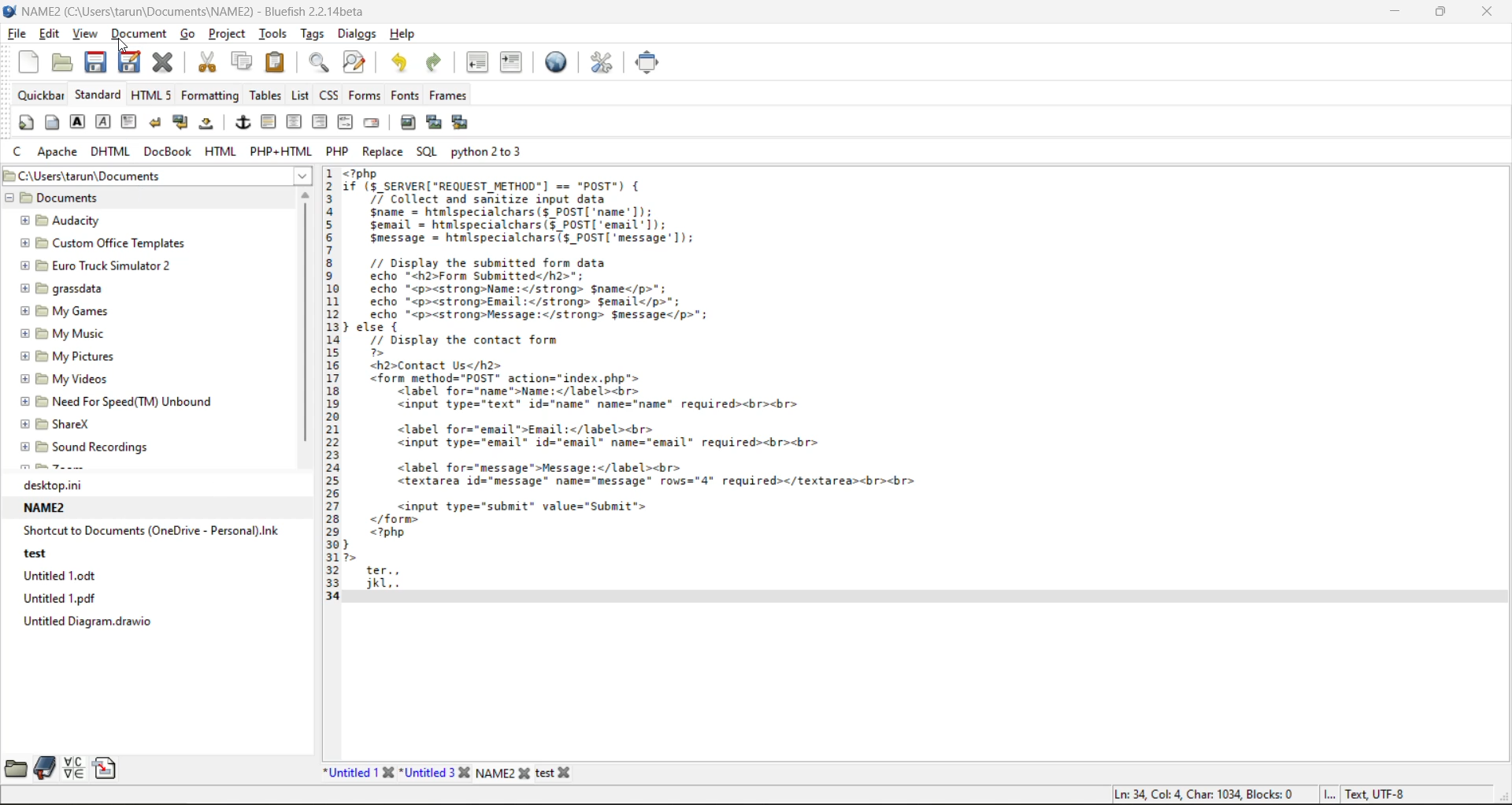  Describe the element at coordinates (292, 123) in the screenshot. I see `center` at that location.